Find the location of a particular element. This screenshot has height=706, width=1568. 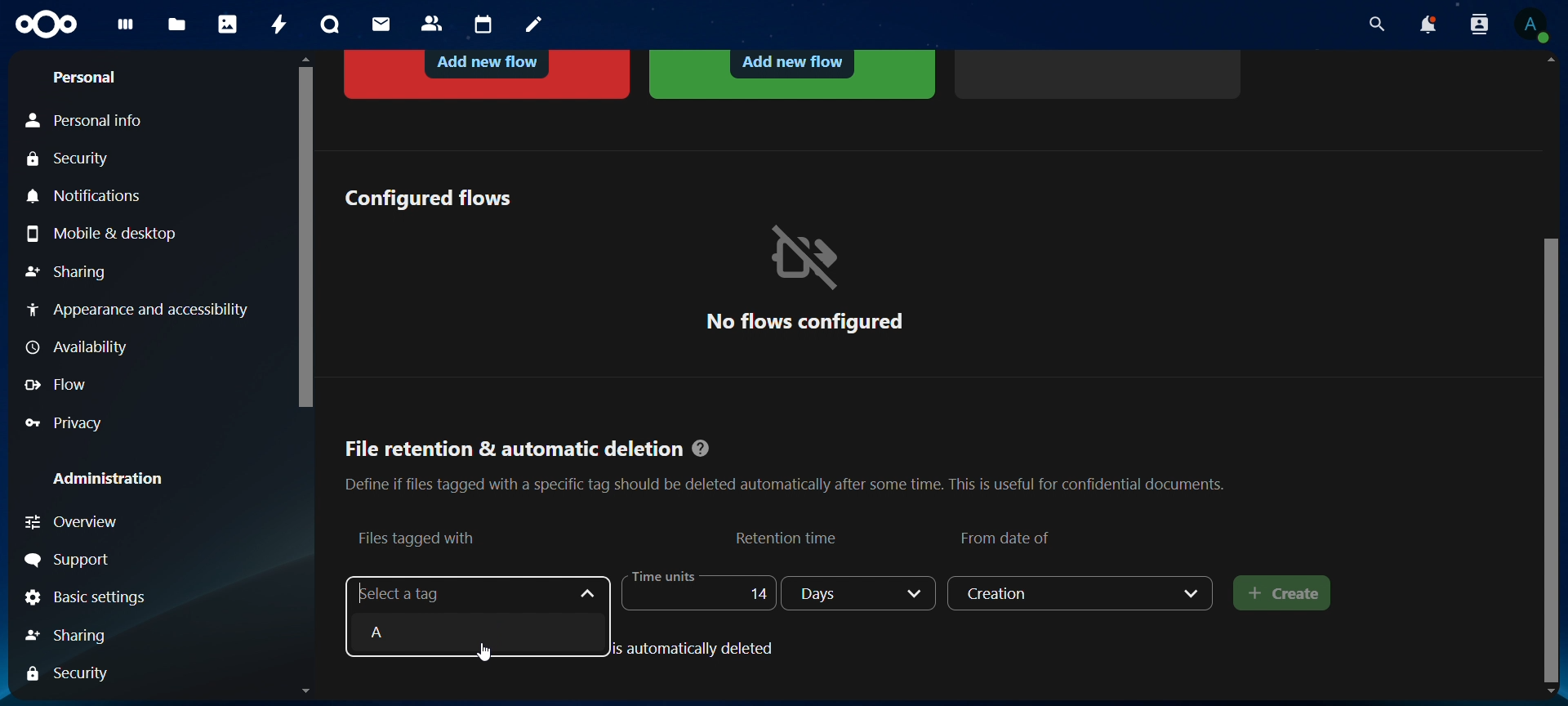

overview is located at coordinates (104, 522).